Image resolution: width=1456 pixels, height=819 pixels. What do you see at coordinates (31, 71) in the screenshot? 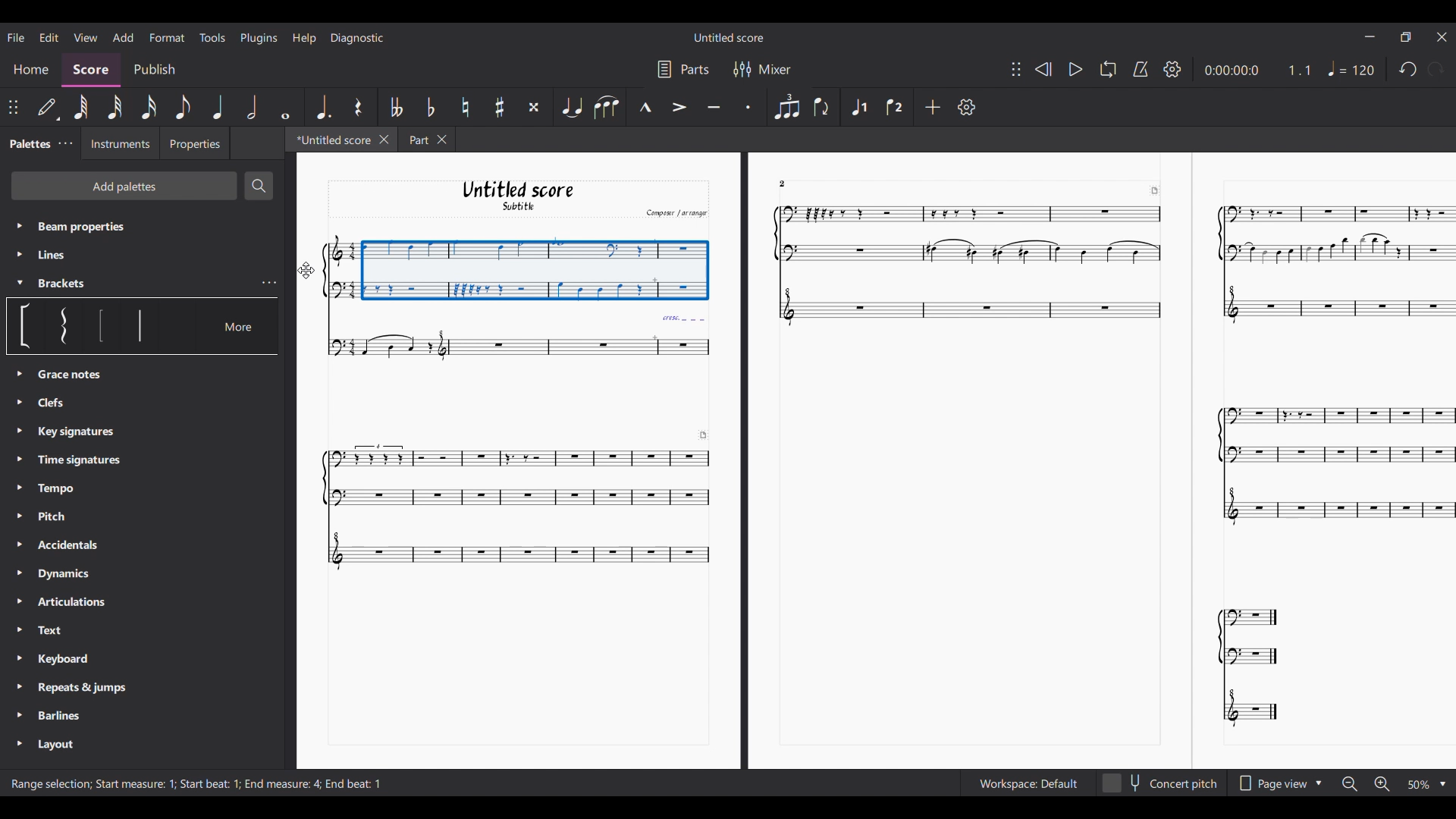
I see `Home ` at bounding box center [31, 71].